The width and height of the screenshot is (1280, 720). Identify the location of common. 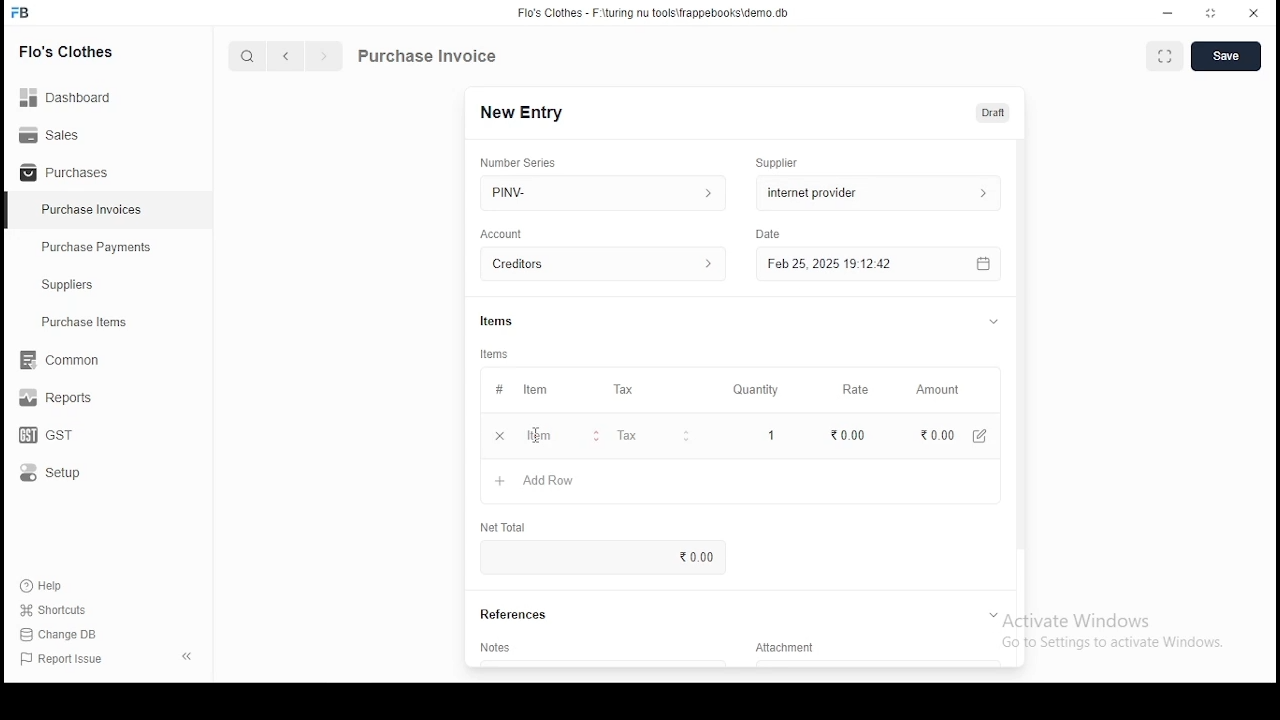
(65, 360).